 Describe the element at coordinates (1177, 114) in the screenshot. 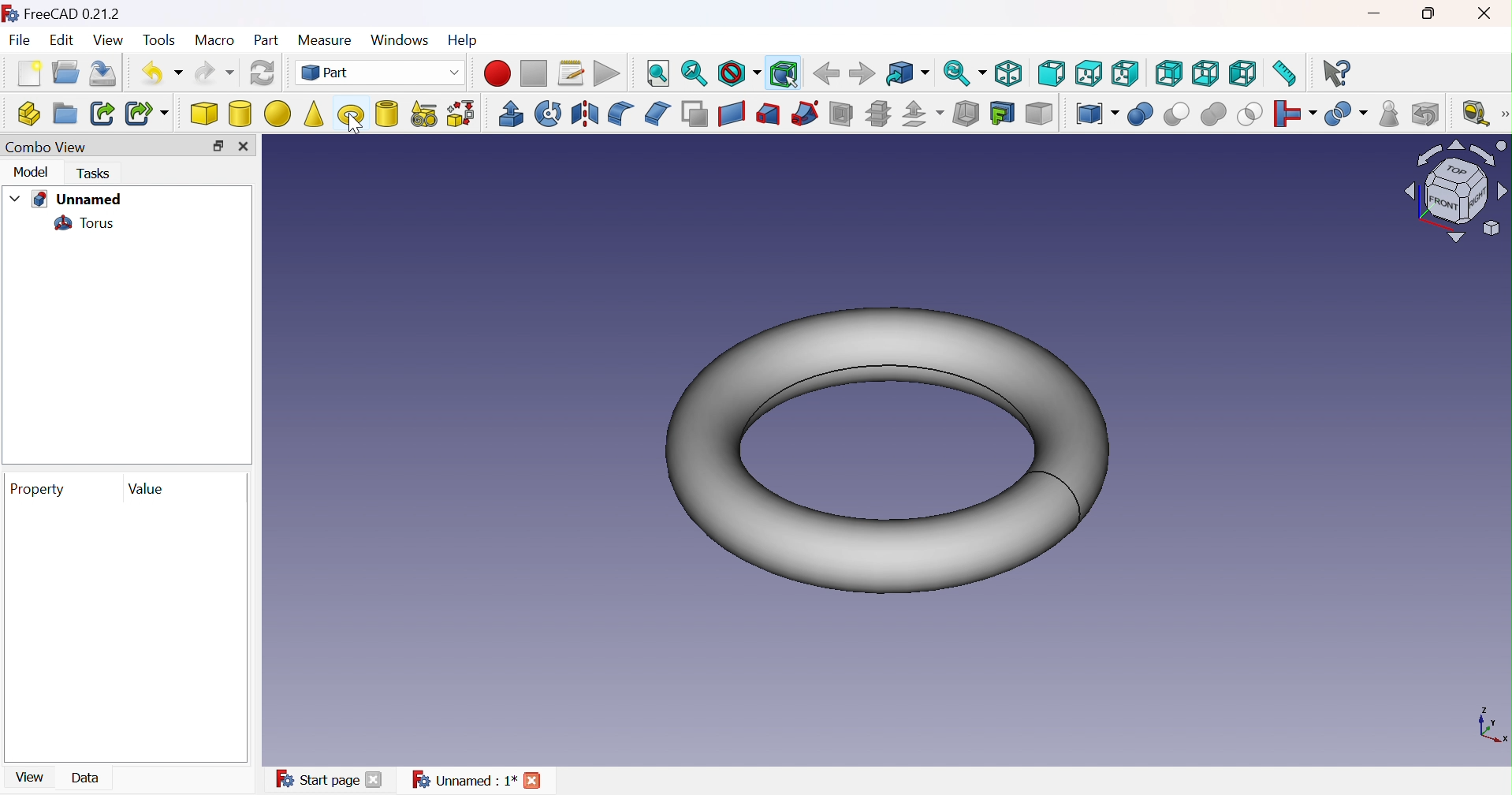

I see `Cut` at that location.